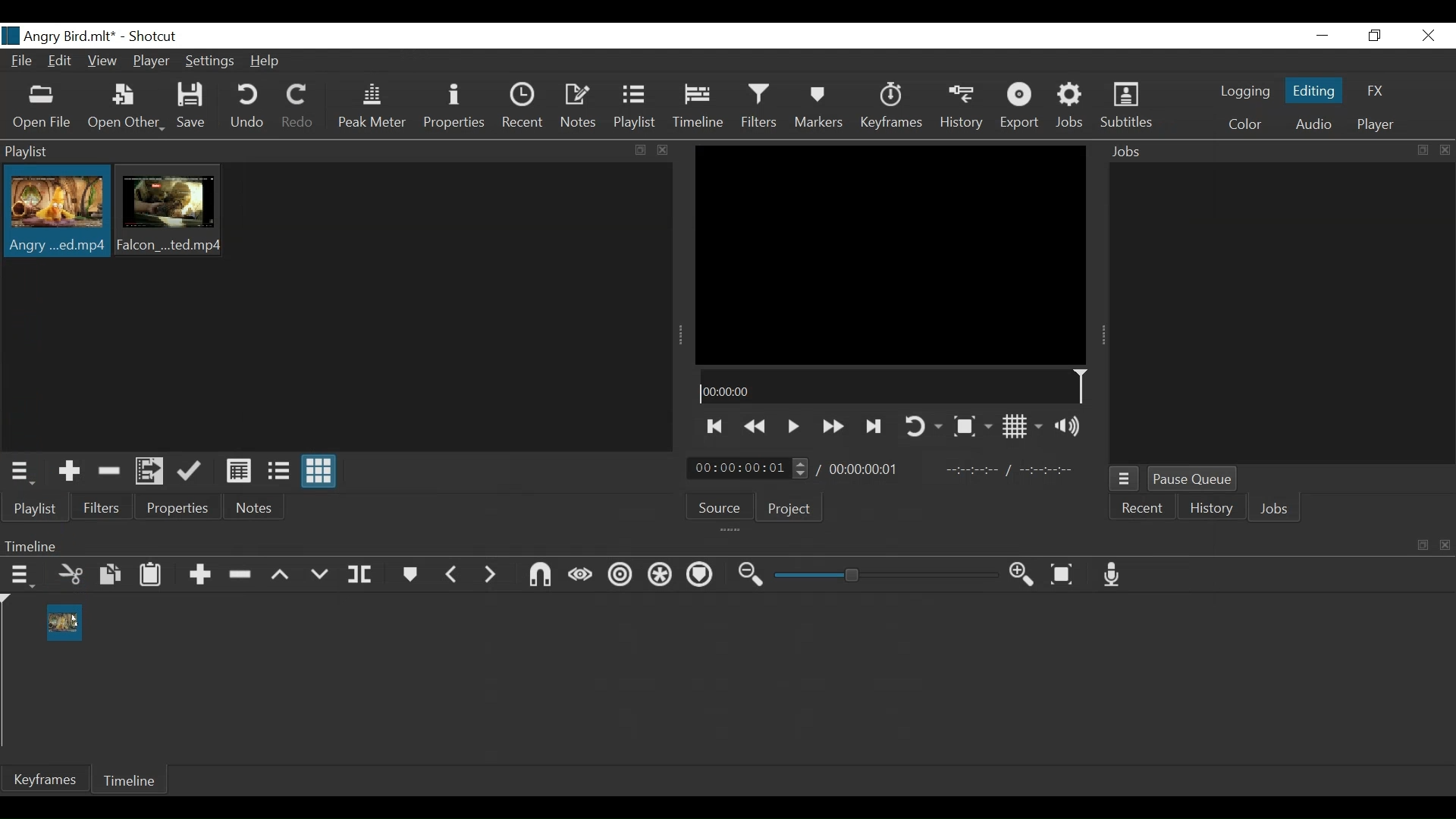 Image resolution: width=1456 pixels, height=819 pixels. I want to click on Ripple all tracks, so click(658, 575).